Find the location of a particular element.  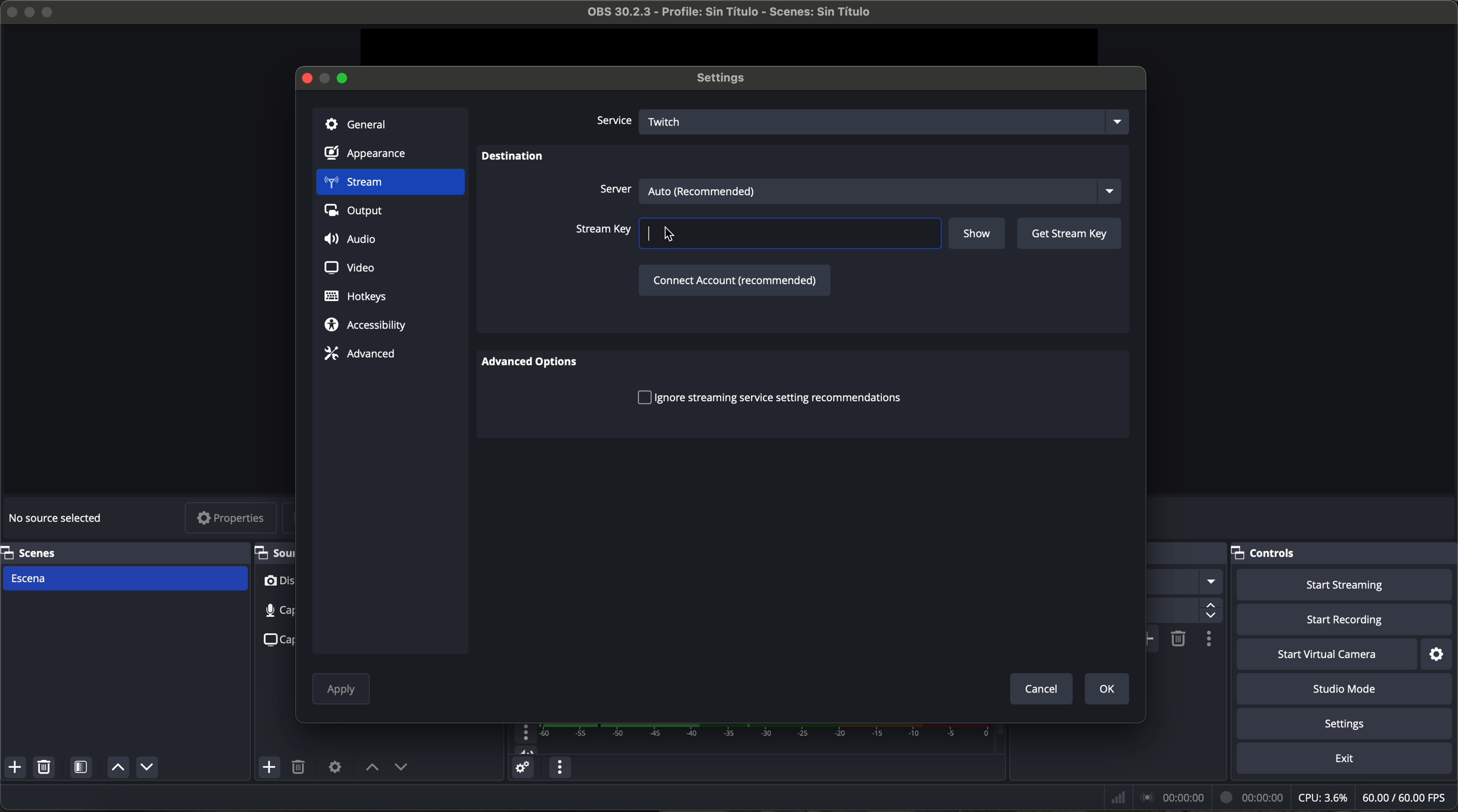

properties is located at coordinates (231, 519).